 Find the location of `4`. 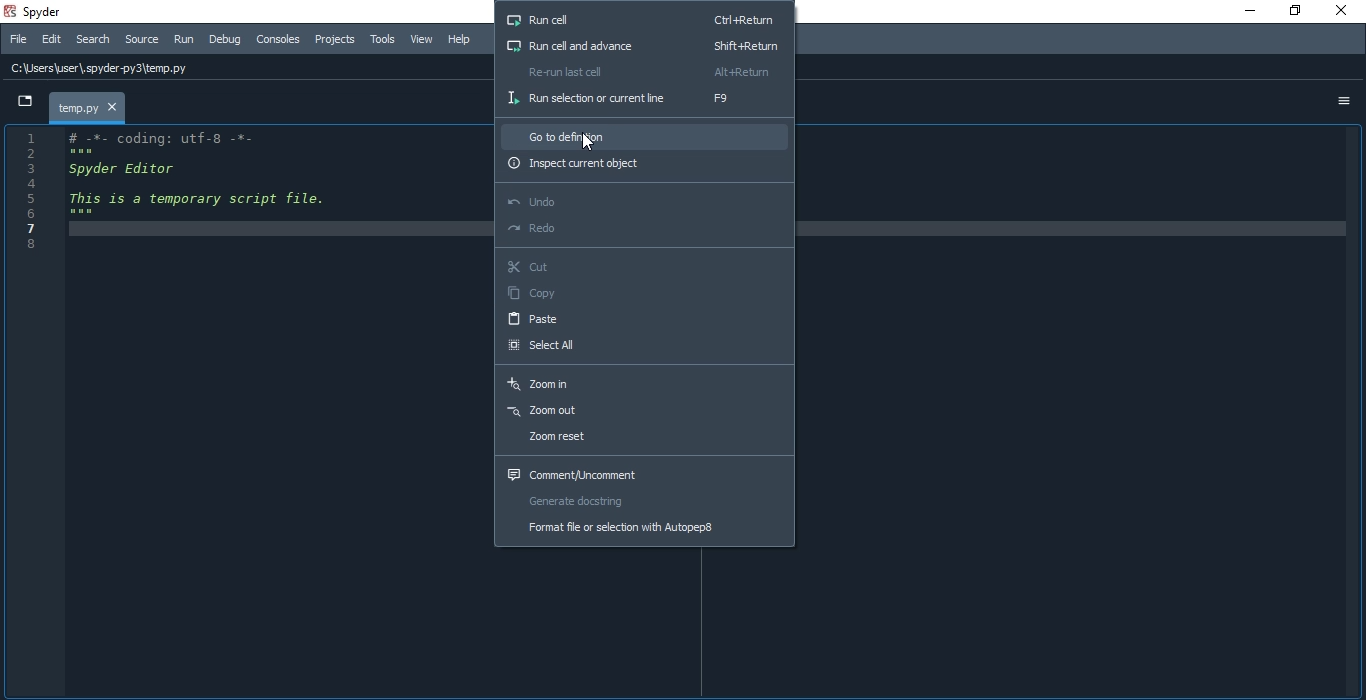

4 is located at coordinates (51, 184).